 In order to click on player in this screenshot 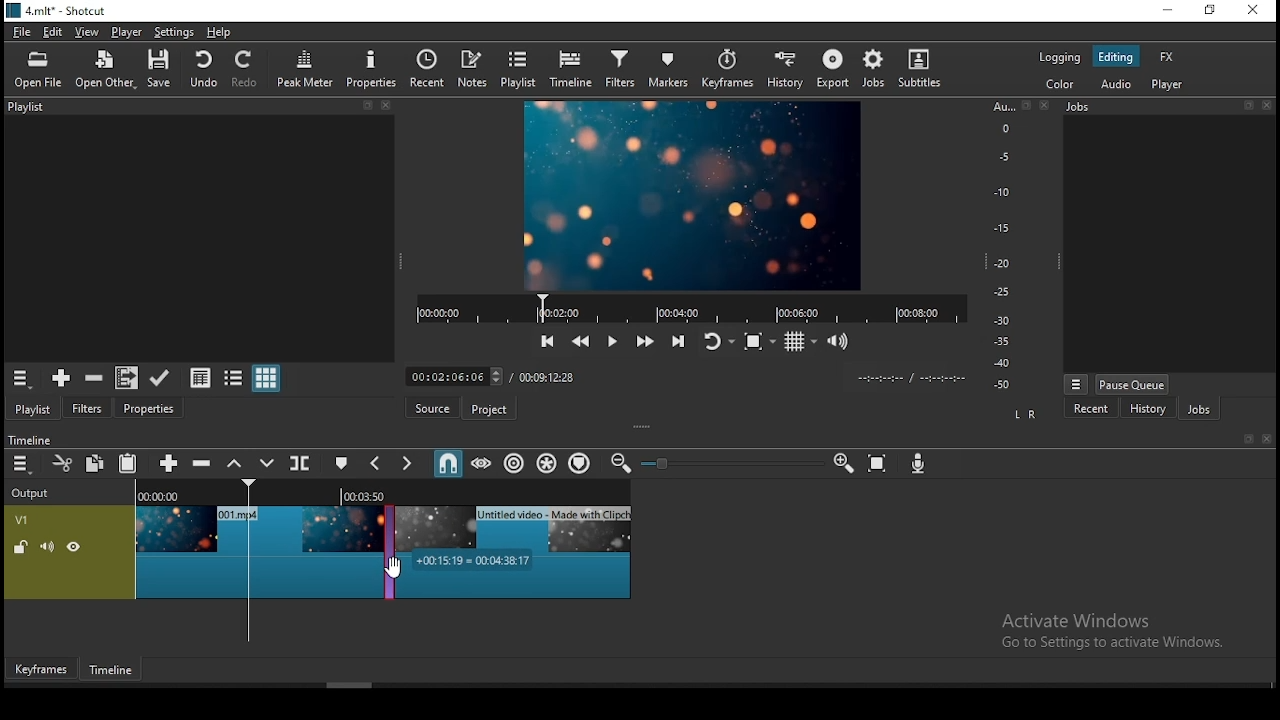, I will do `click(1167, 86)`.